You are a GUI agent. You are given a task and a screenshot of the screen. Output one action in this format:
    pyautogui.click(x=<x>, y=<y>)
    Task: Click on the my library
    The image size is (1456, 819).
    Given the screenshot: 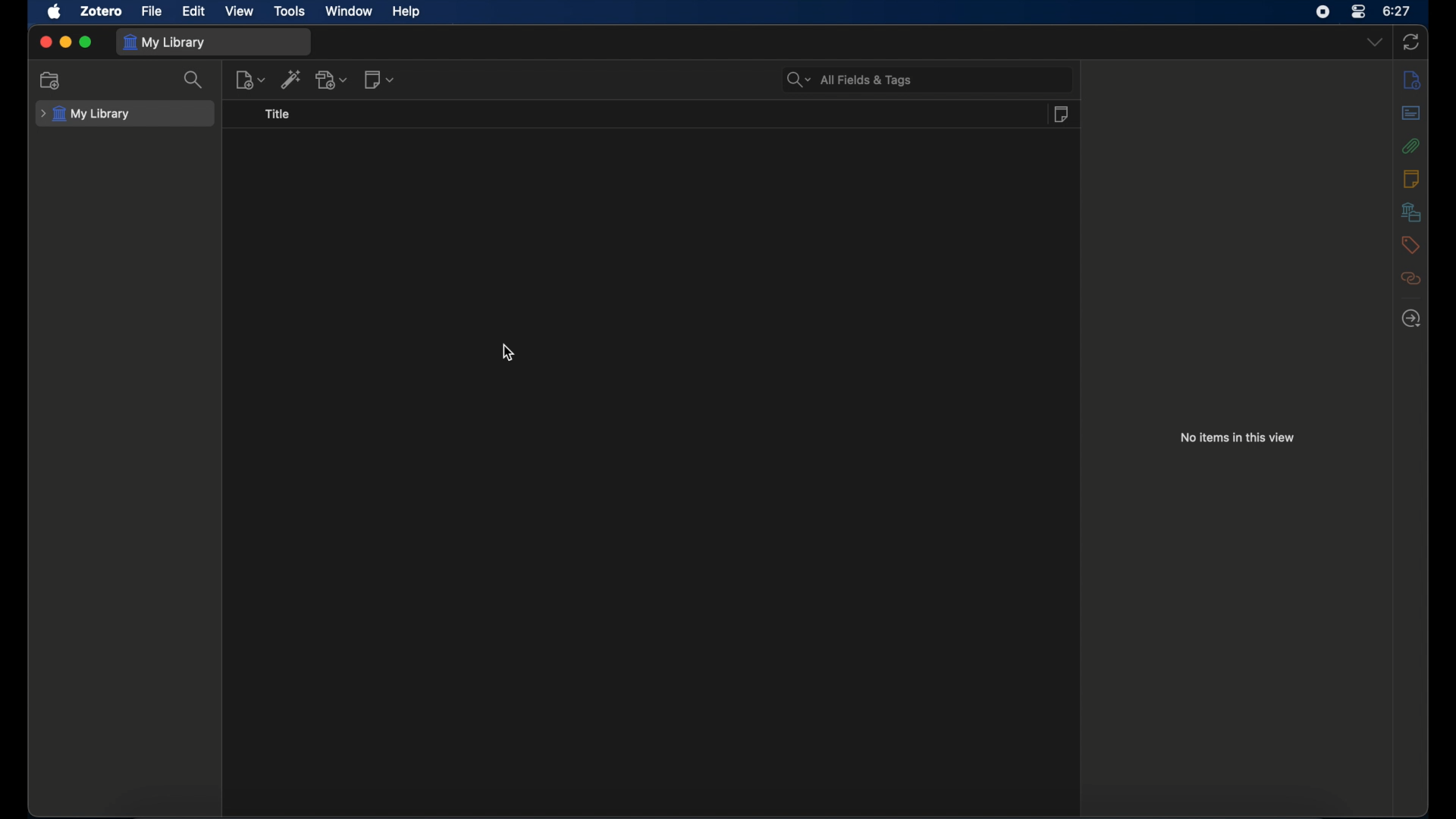 What is the action you would take?
    pyautogui.click(x=165, y=42)
    